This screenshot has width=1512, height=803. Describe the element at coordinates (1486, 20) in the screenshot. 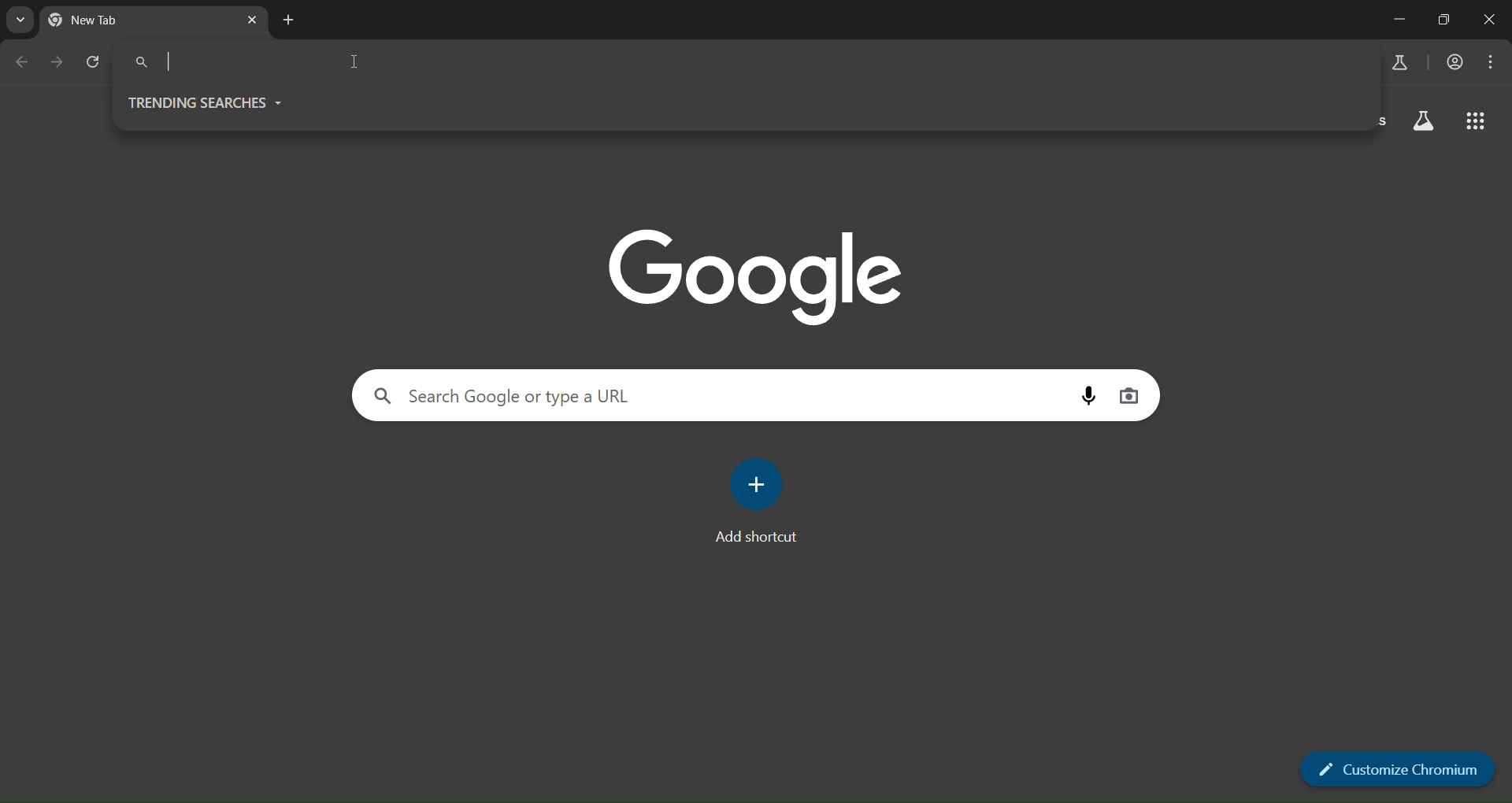

I see `close` at that location.